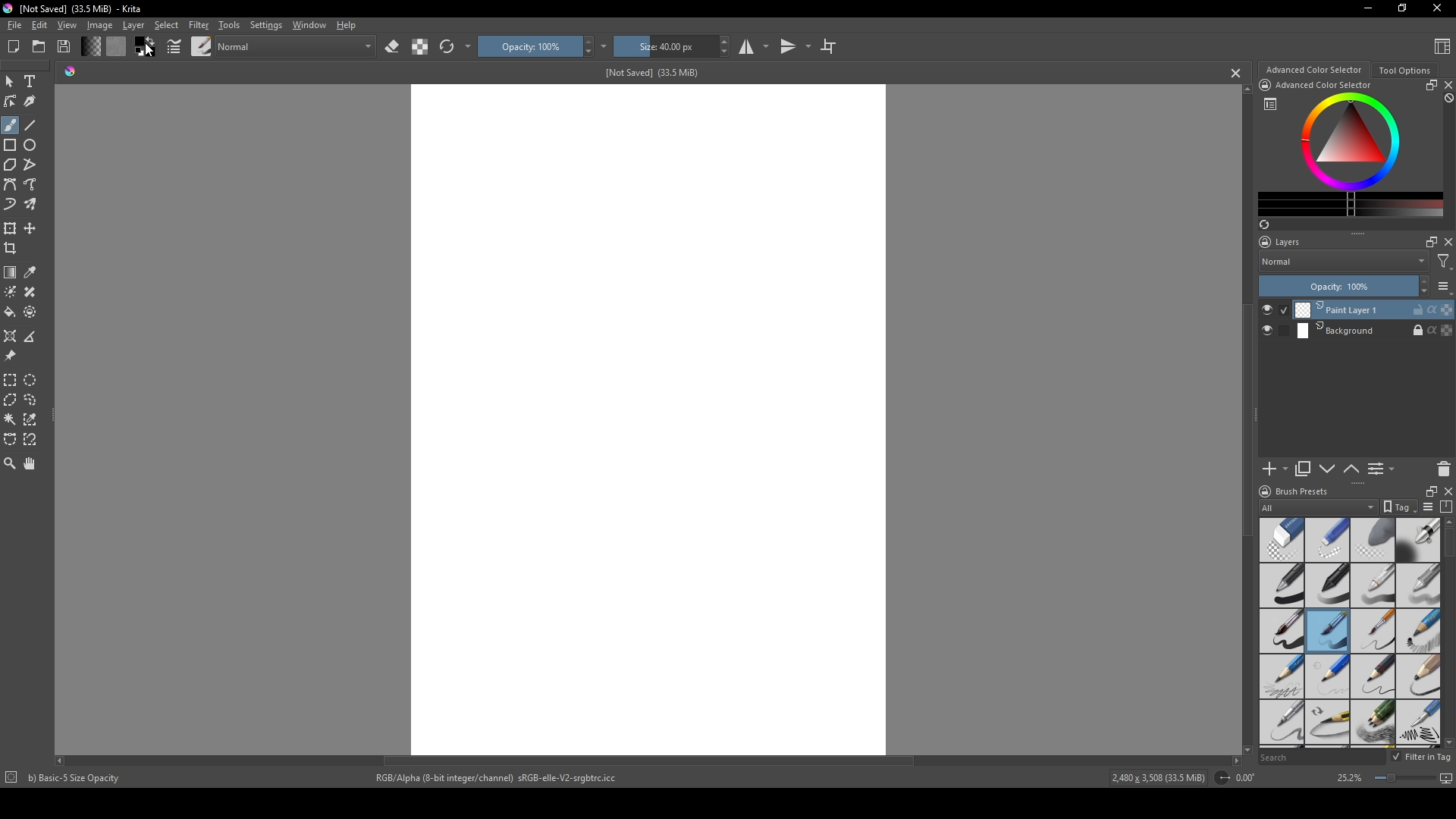 This screenshot has width=1456, height=819. I want to click on pencil, so click(1328, 723).